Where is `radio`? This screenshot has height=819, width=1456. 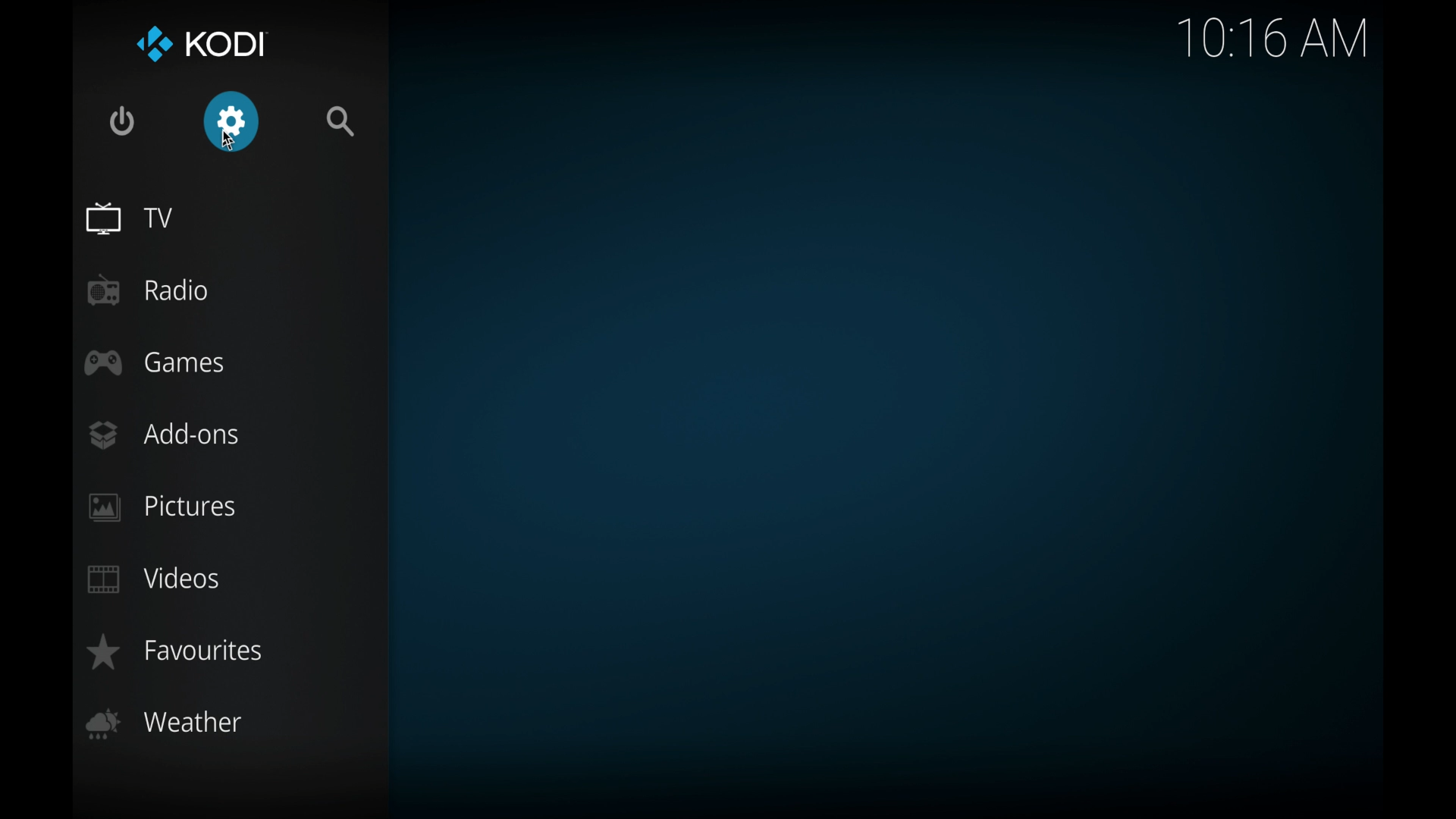 radio is located at coordinates (149, 290).